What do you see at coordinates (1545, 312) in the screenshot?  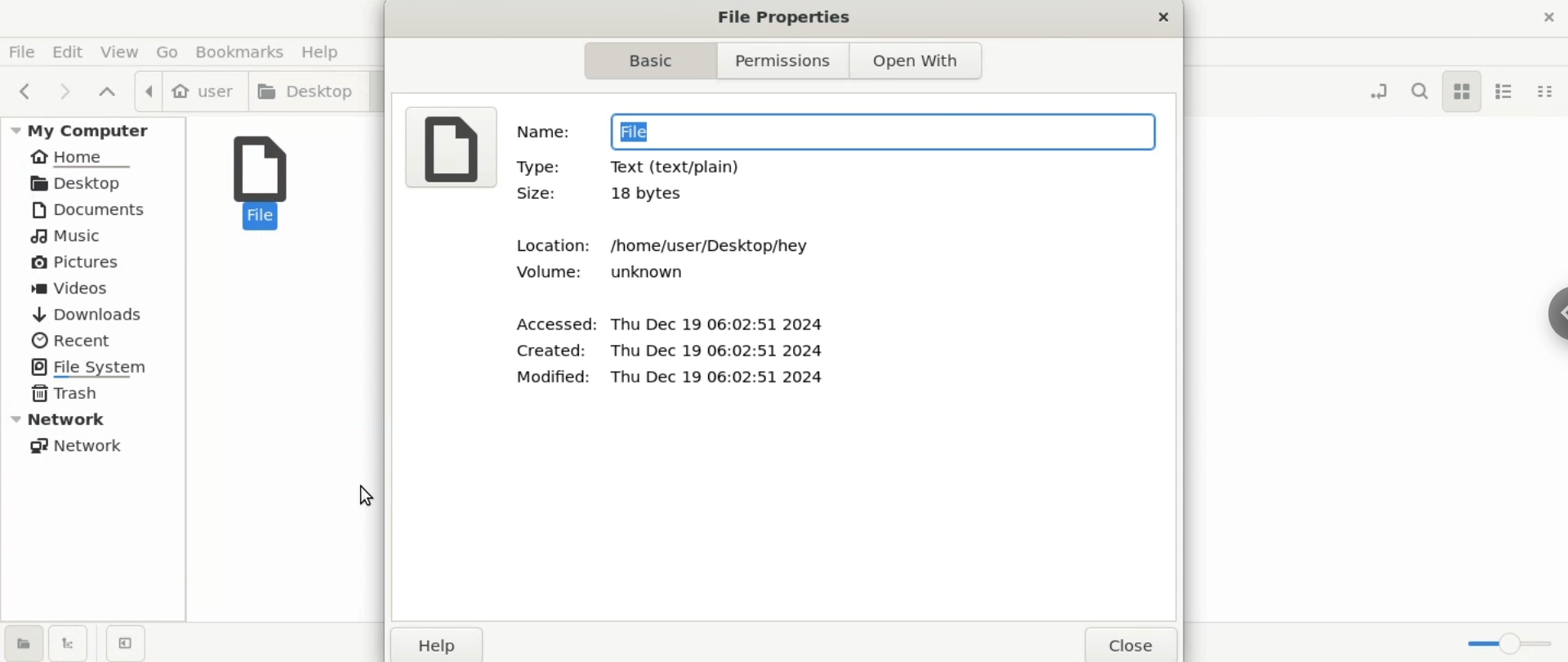 I see `sidebar` at bounding box center [1545, 312].